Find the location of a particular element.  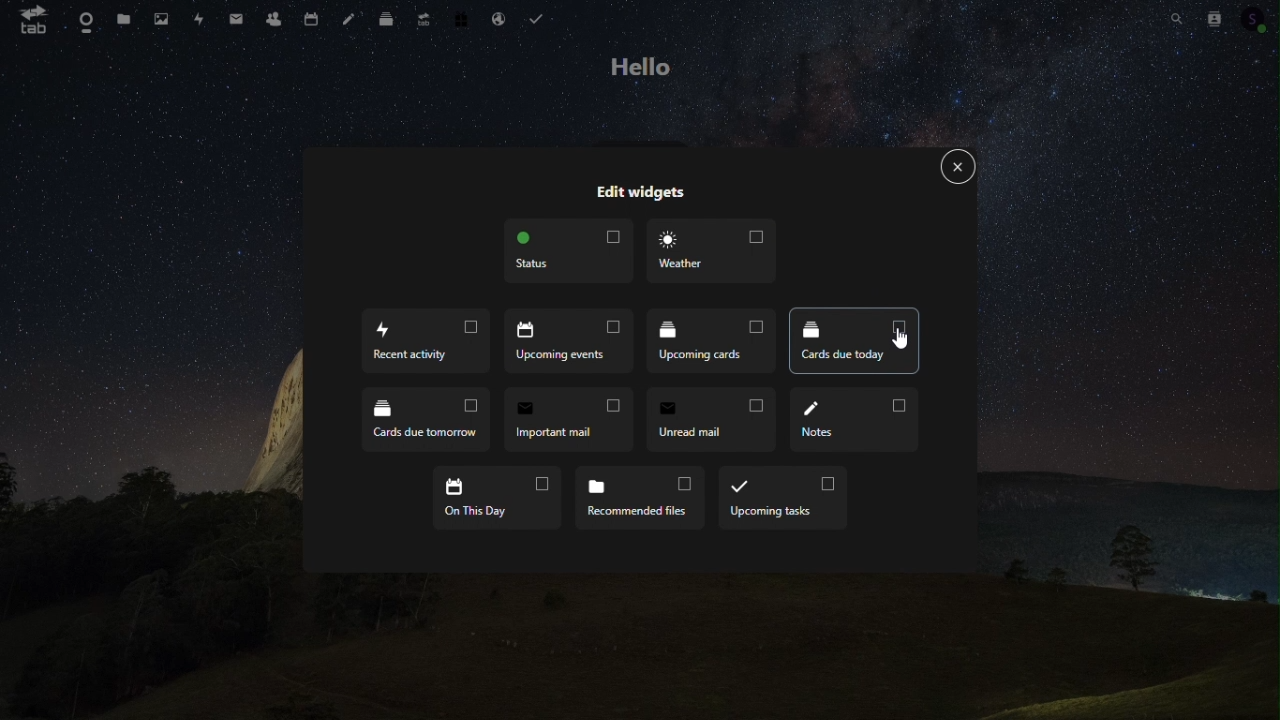

Upcoming task is located at coordinates (784, 500).